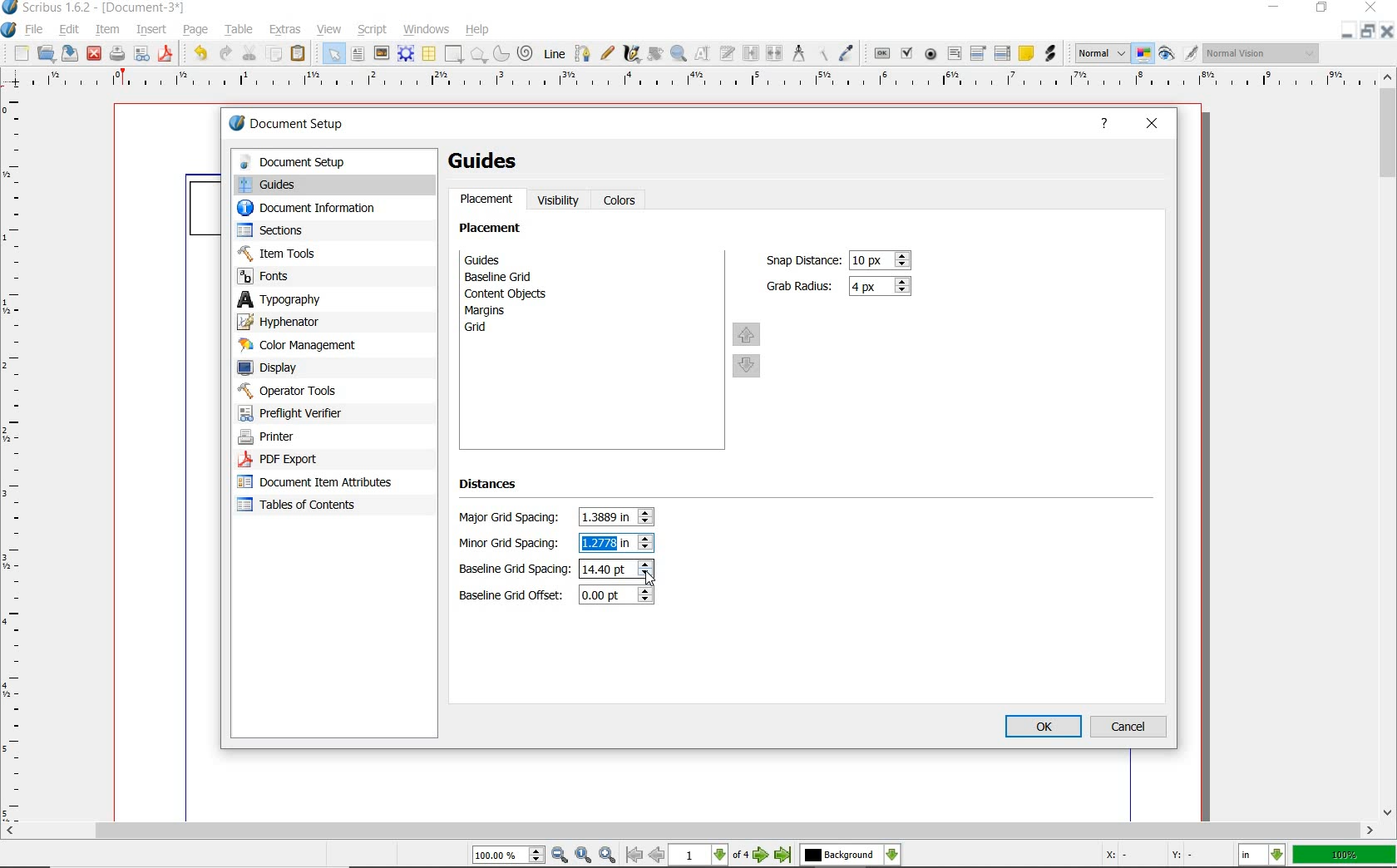 The height and width of the screenshot is (868, 1397). What do you see at coordinates (608, 54) in the screenshot?
I see `freehand line` at bounding box center [608, 54].